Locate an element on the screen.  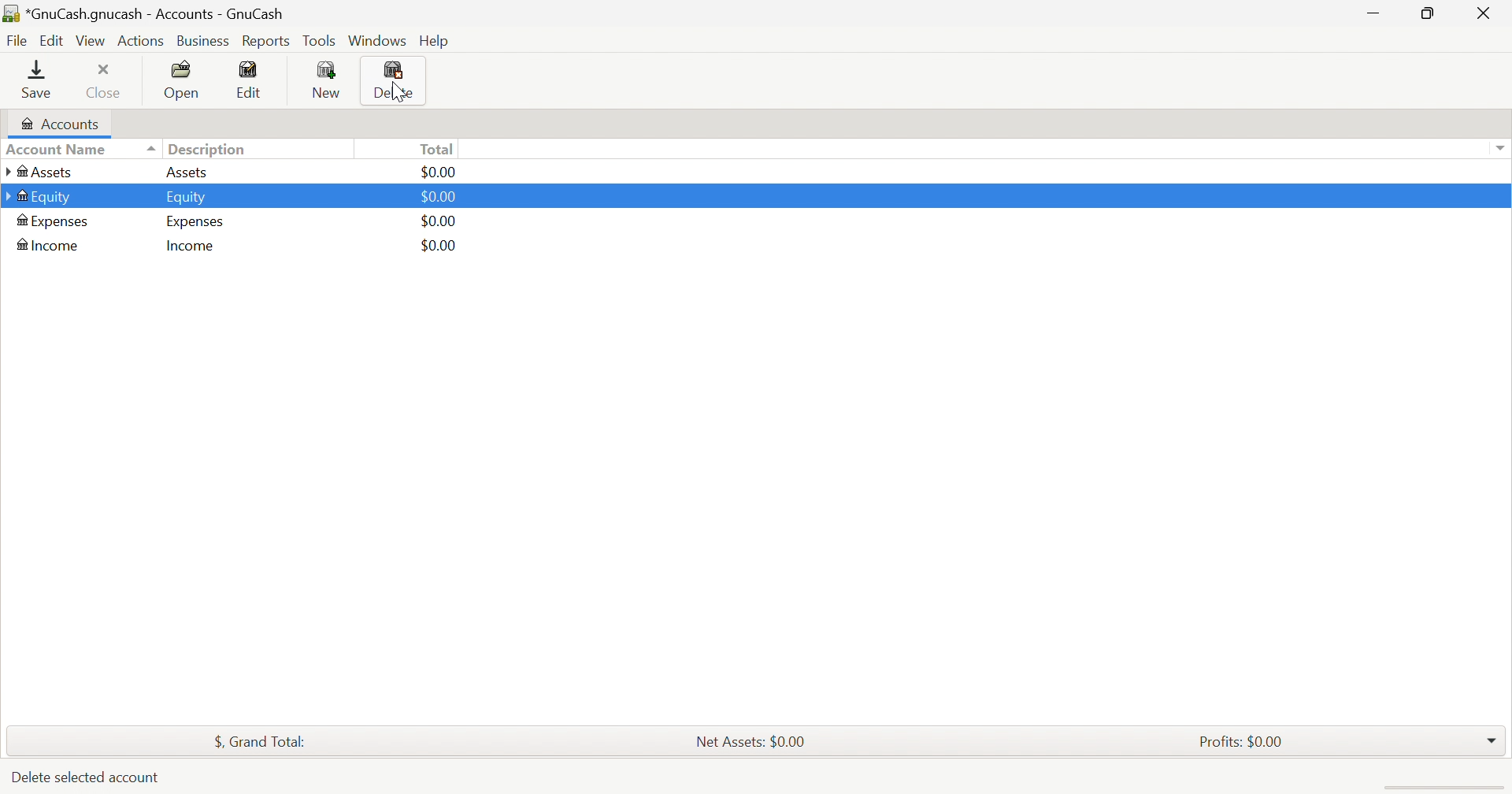
Equity is located at coordinates (40, 195).